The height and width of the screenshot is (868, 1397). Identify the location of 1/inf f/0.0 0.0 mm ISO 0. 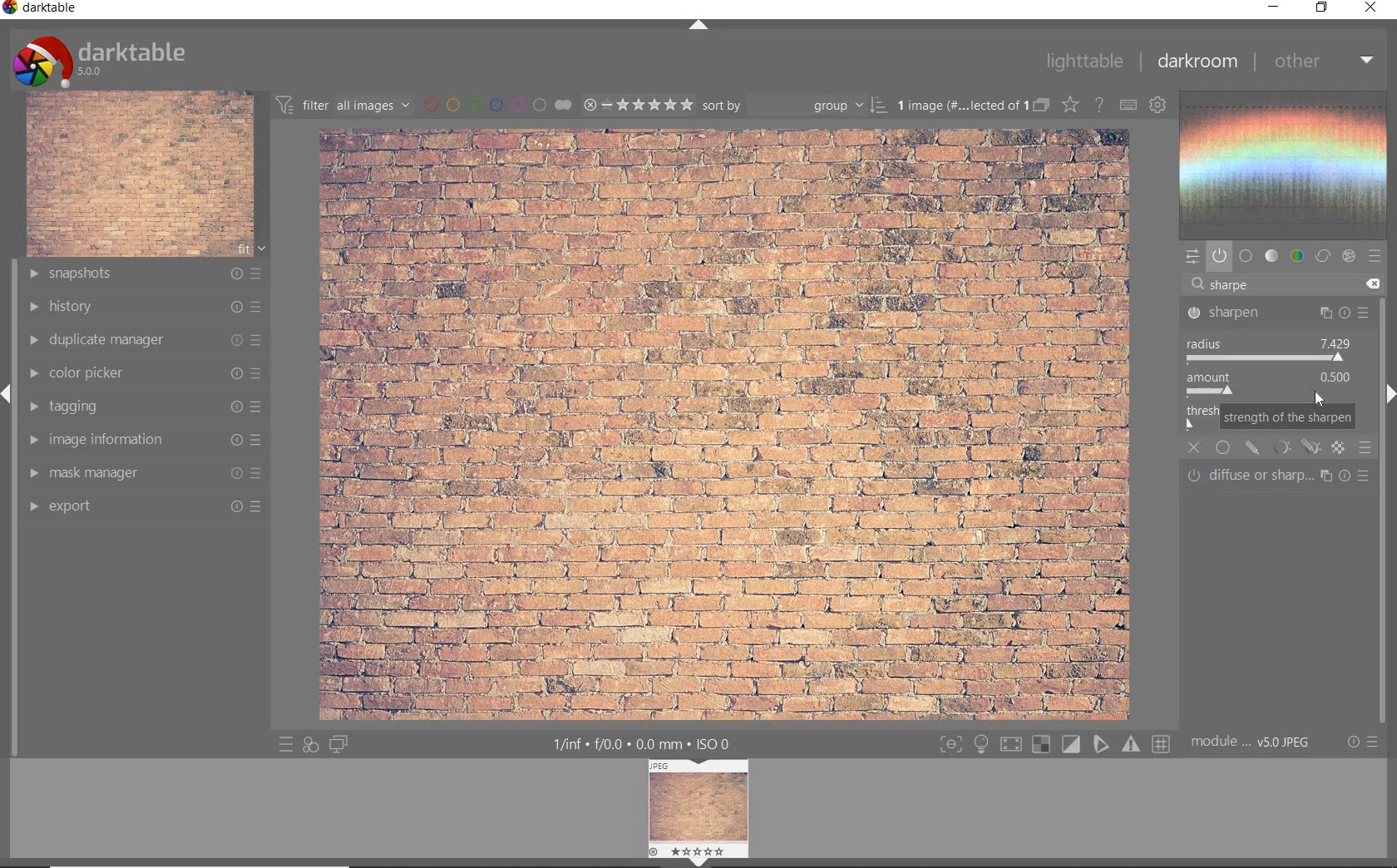
(642, 743).